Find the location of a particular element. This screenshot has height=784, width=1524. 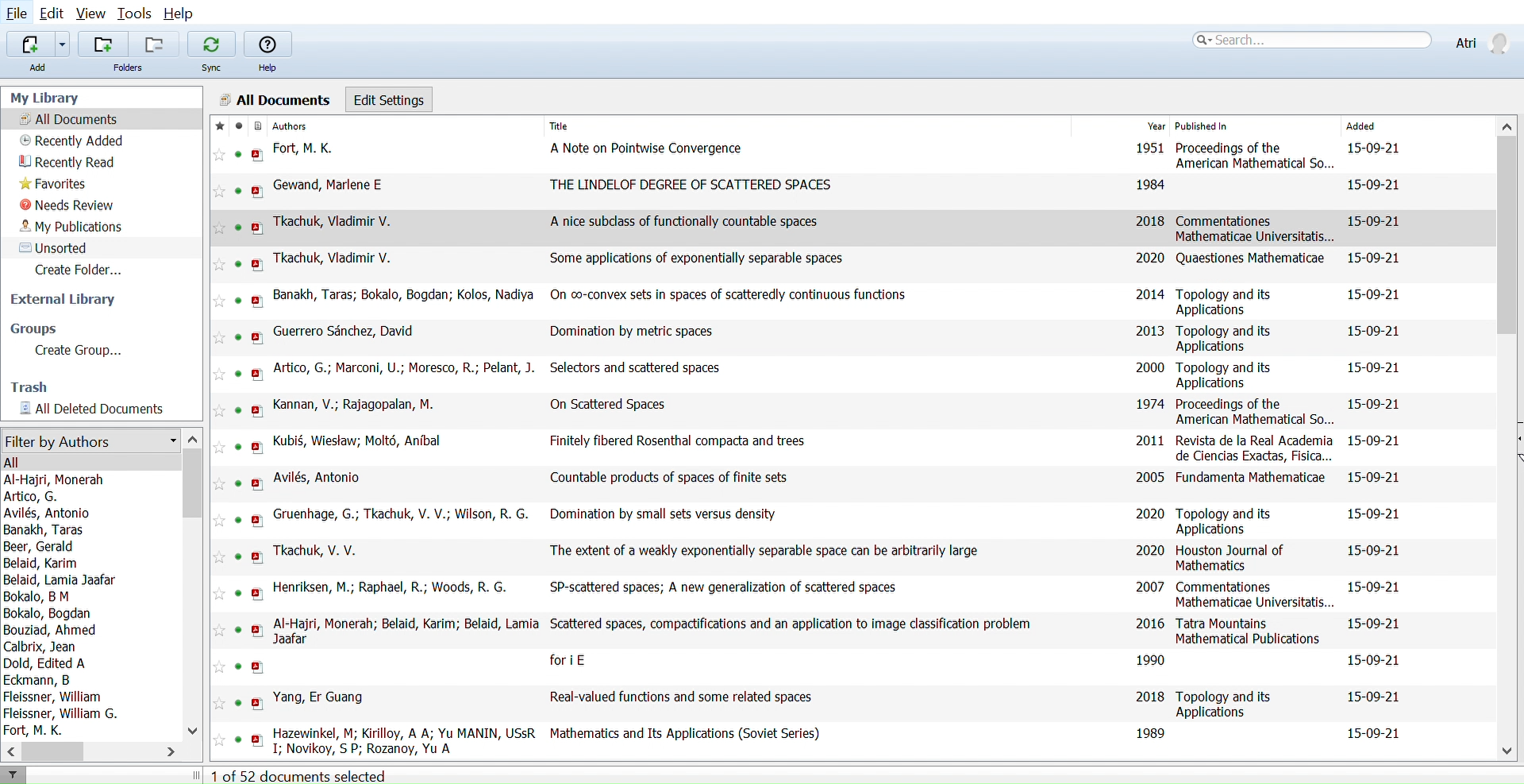

Dold, Edited A is located at coordinates (47, 663).